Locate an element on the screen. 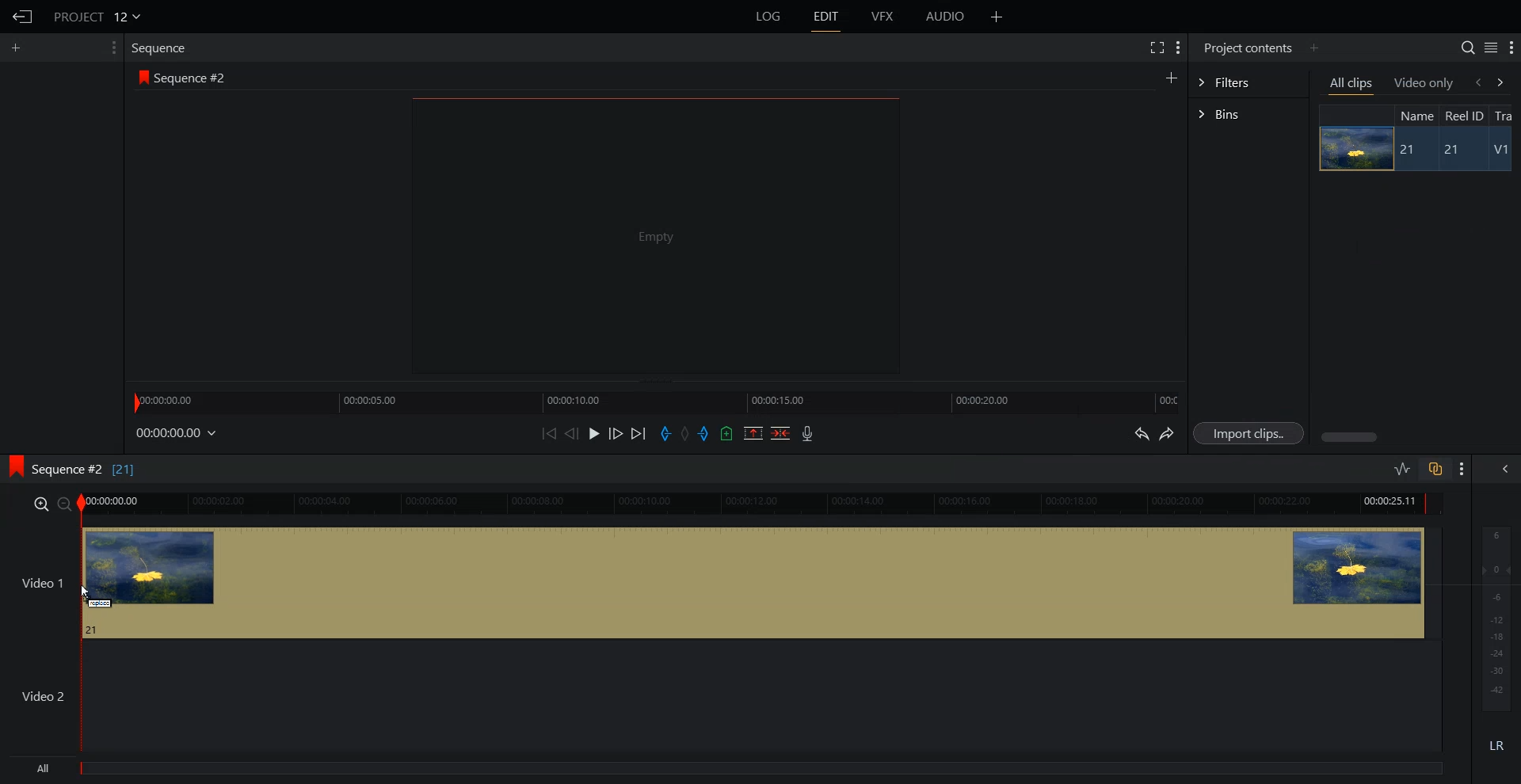  Sequence #2 [21] is located at coordinates (85, 470).